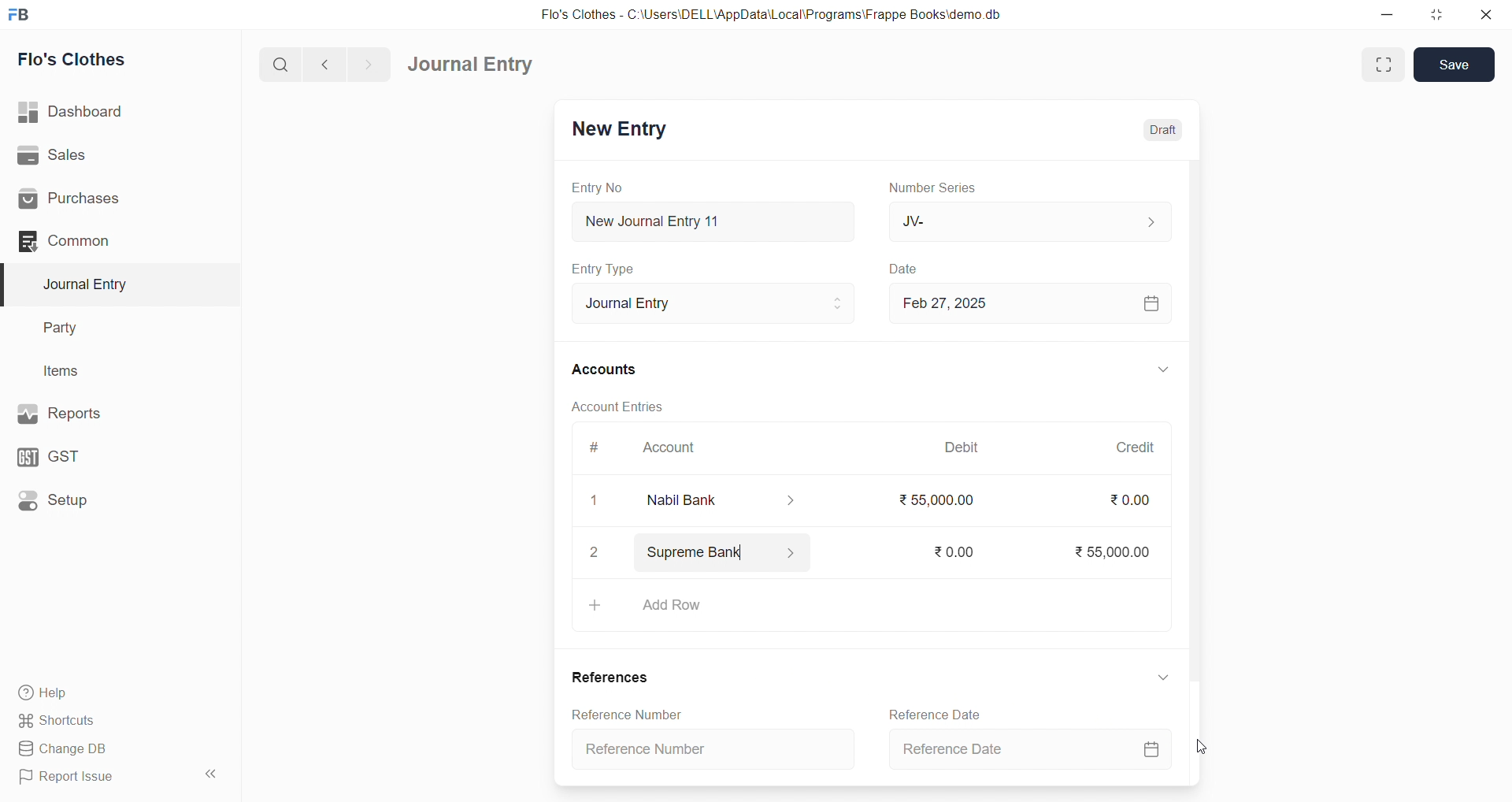  What do you see at coordinates (676, 446) in the screenshot?
I see `Account` at bounding box center [676, 446].